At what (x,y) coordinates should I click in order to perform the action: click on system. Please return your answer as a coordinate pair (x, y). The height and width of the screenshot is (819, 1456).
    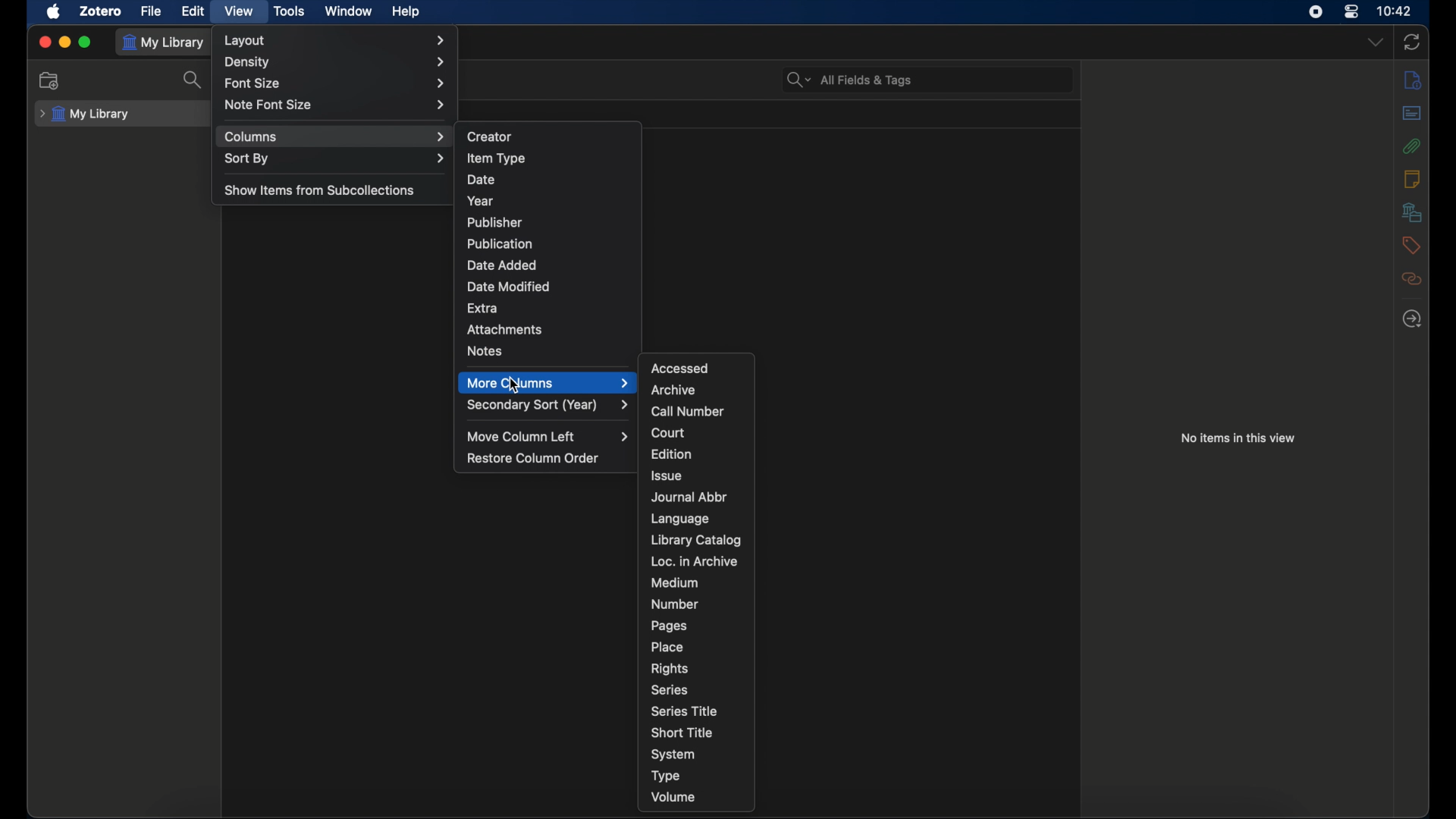
    Looking at the image, I should click on (673, 755).